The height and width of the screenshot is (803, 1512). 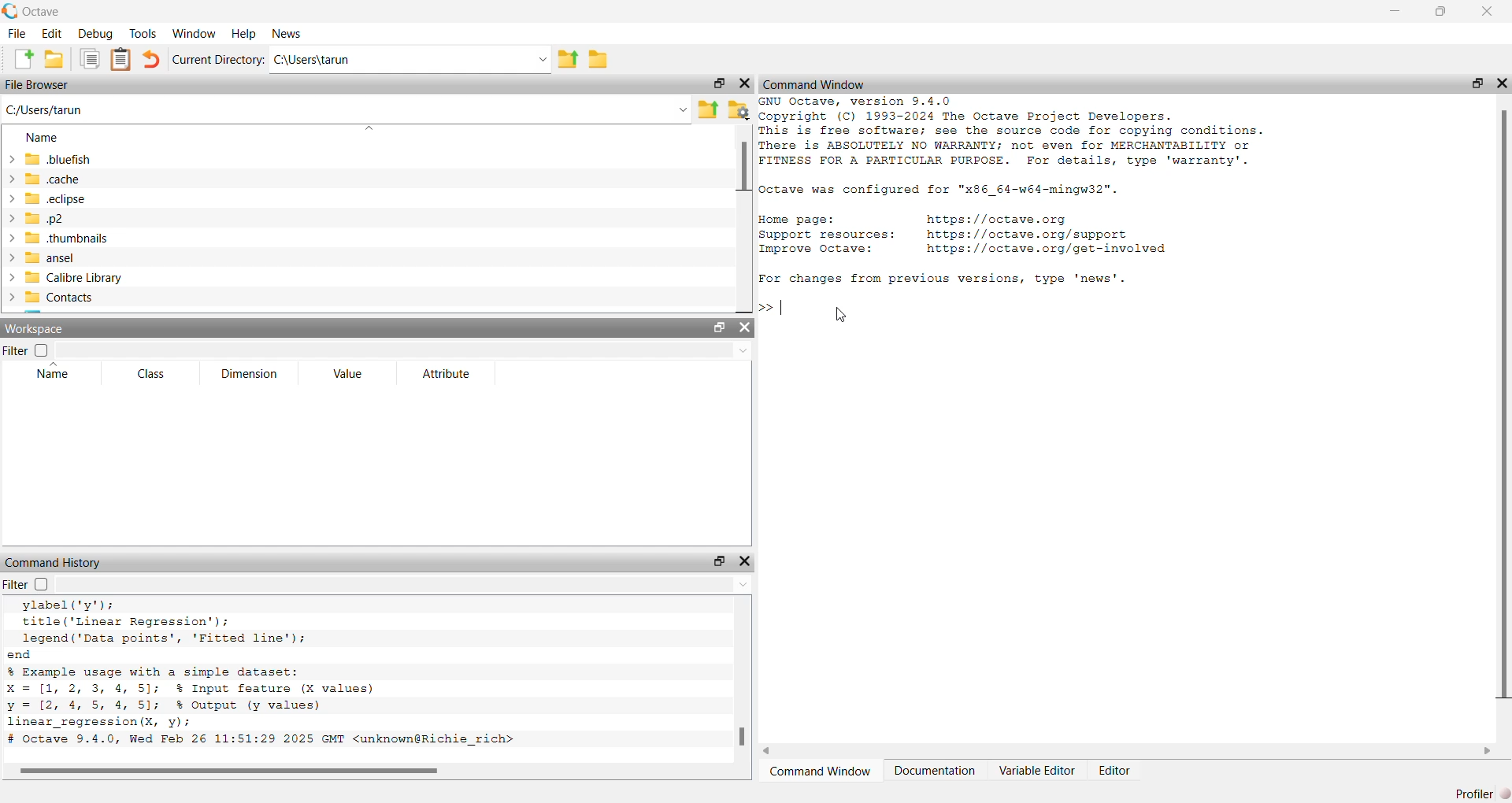 What do you see at coordinates (446, 373) in the screenshot?
I see `attribute` at bounding box center [446, 373].